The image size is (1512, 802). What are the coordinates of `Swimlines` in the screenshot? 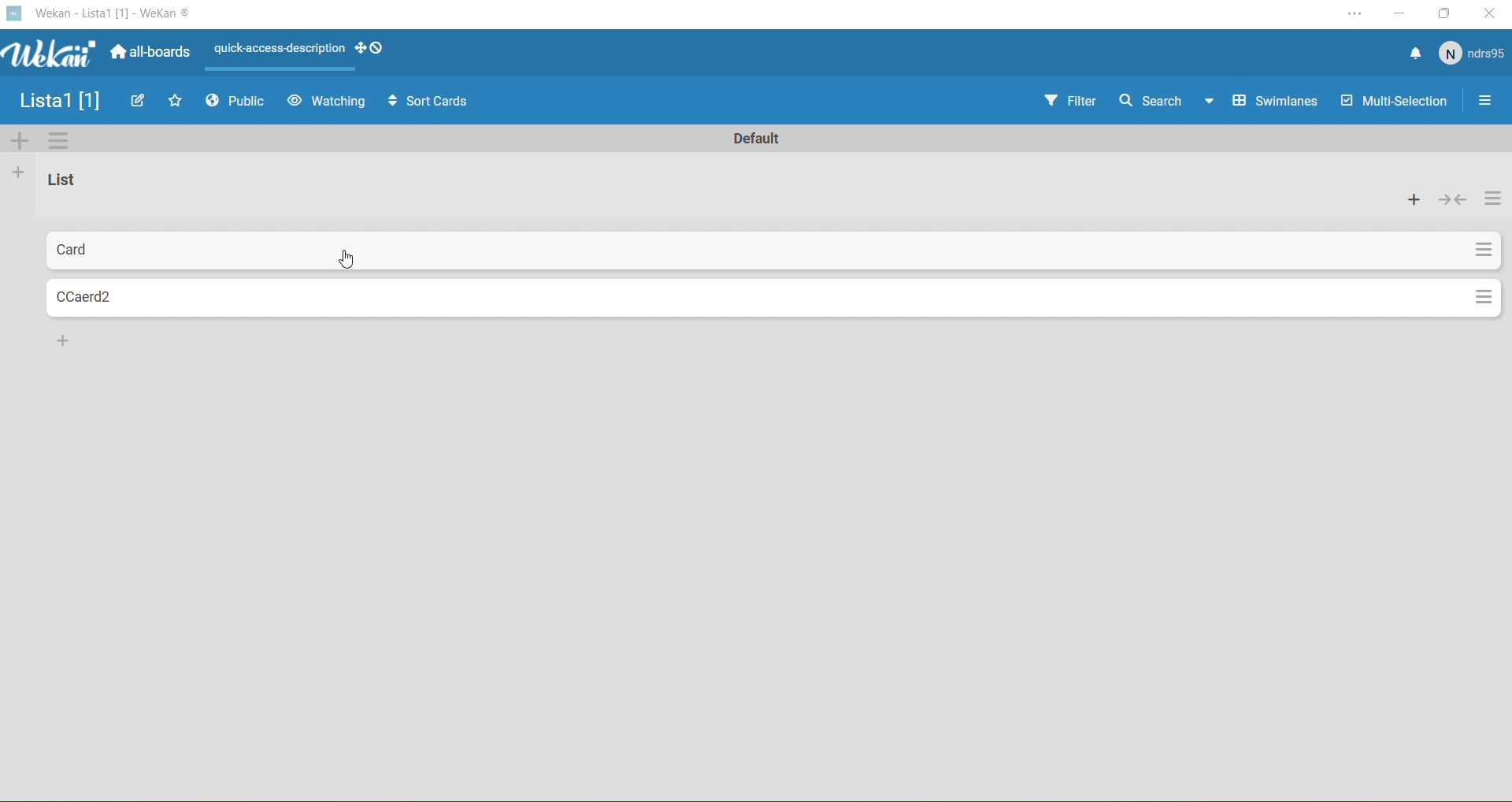 It's located at (1265, 102).